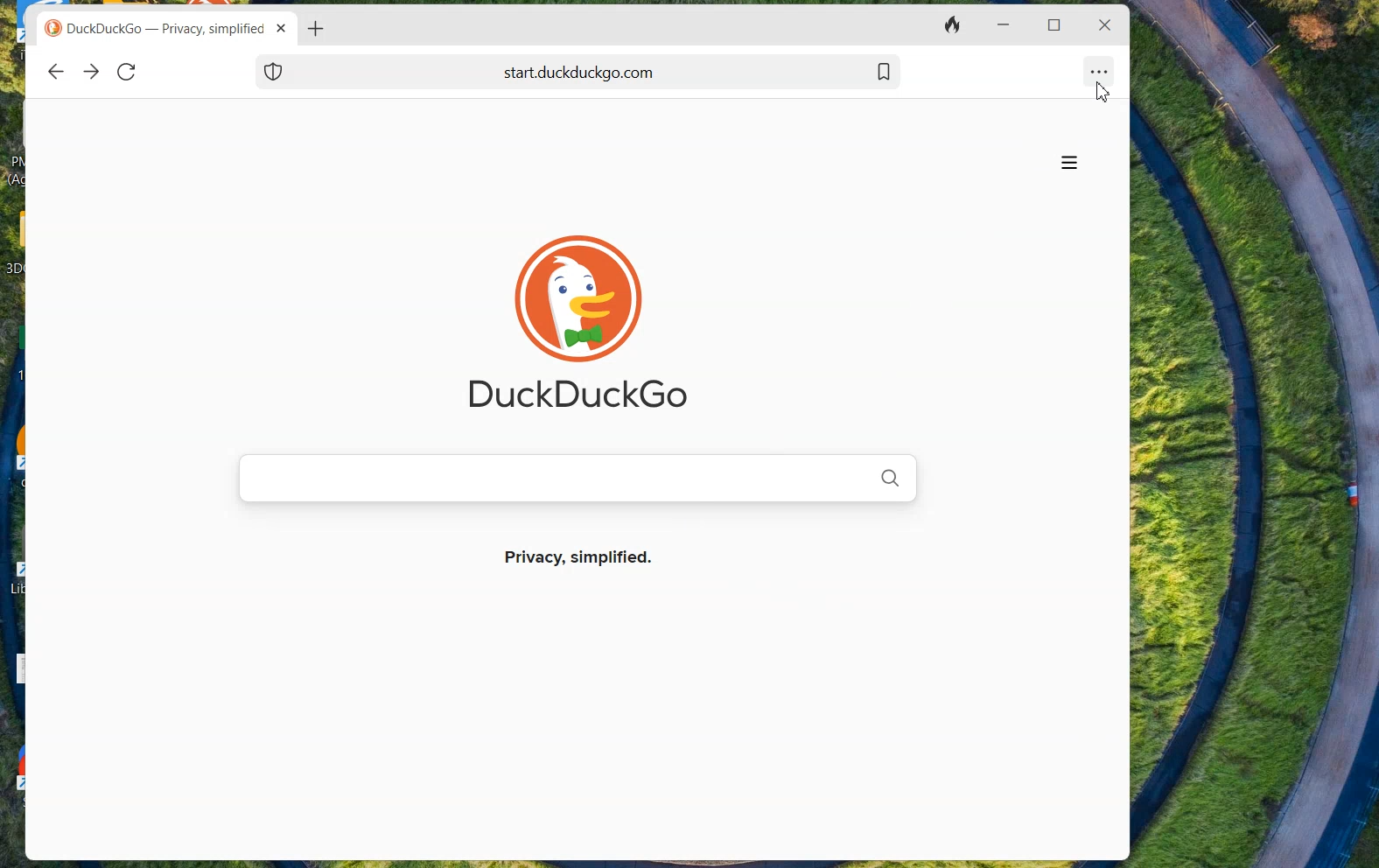 The width and height of the screenshot is (1379, 868). What do you see at coordinates (1102, 25) in the screenshot?
I see `close` at bounding box center [1102, 25].